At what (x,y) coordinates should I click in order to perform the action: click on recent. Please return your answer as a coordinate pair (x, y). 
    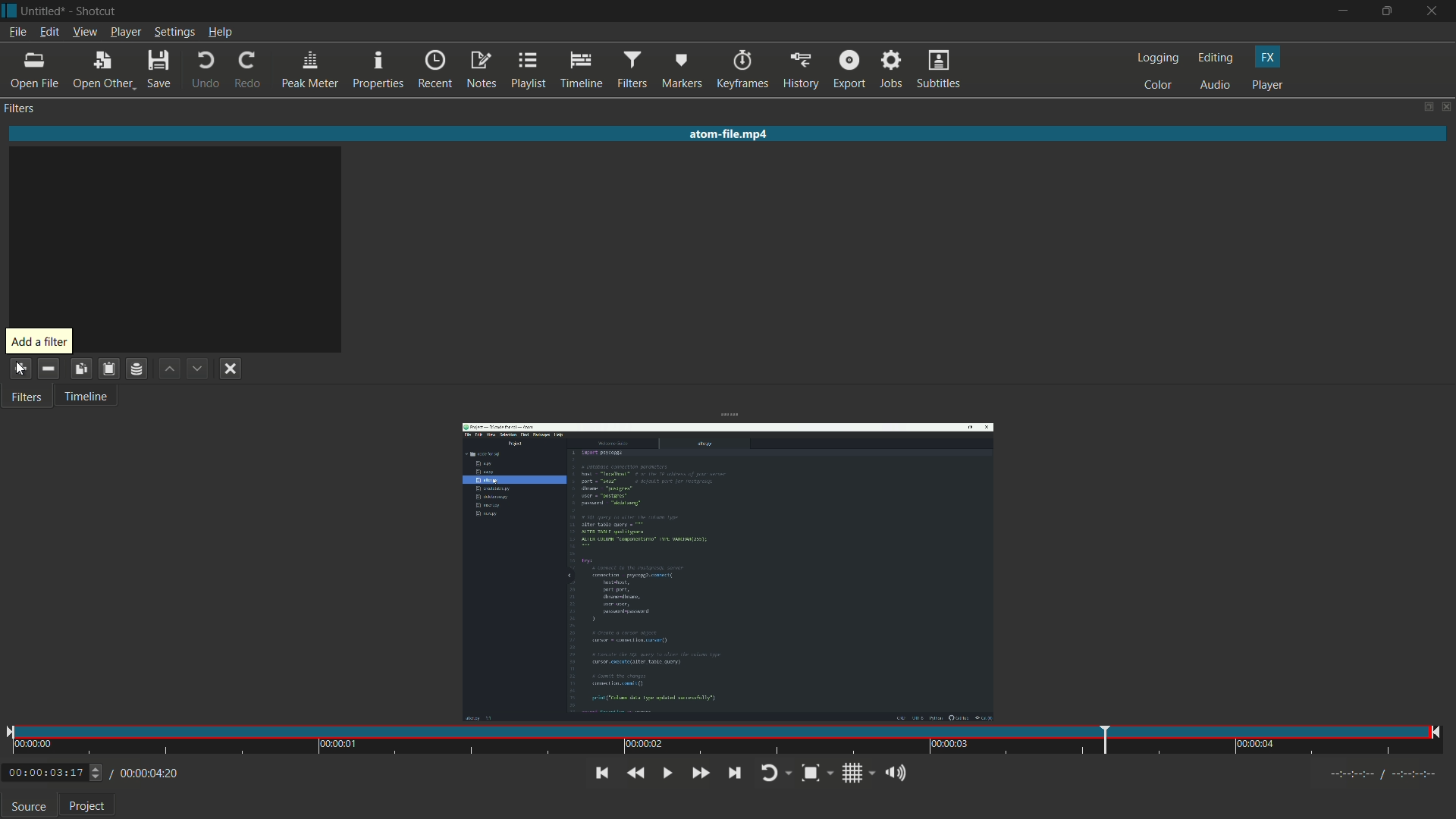
    Looking at the image, I should click on (435, 70).